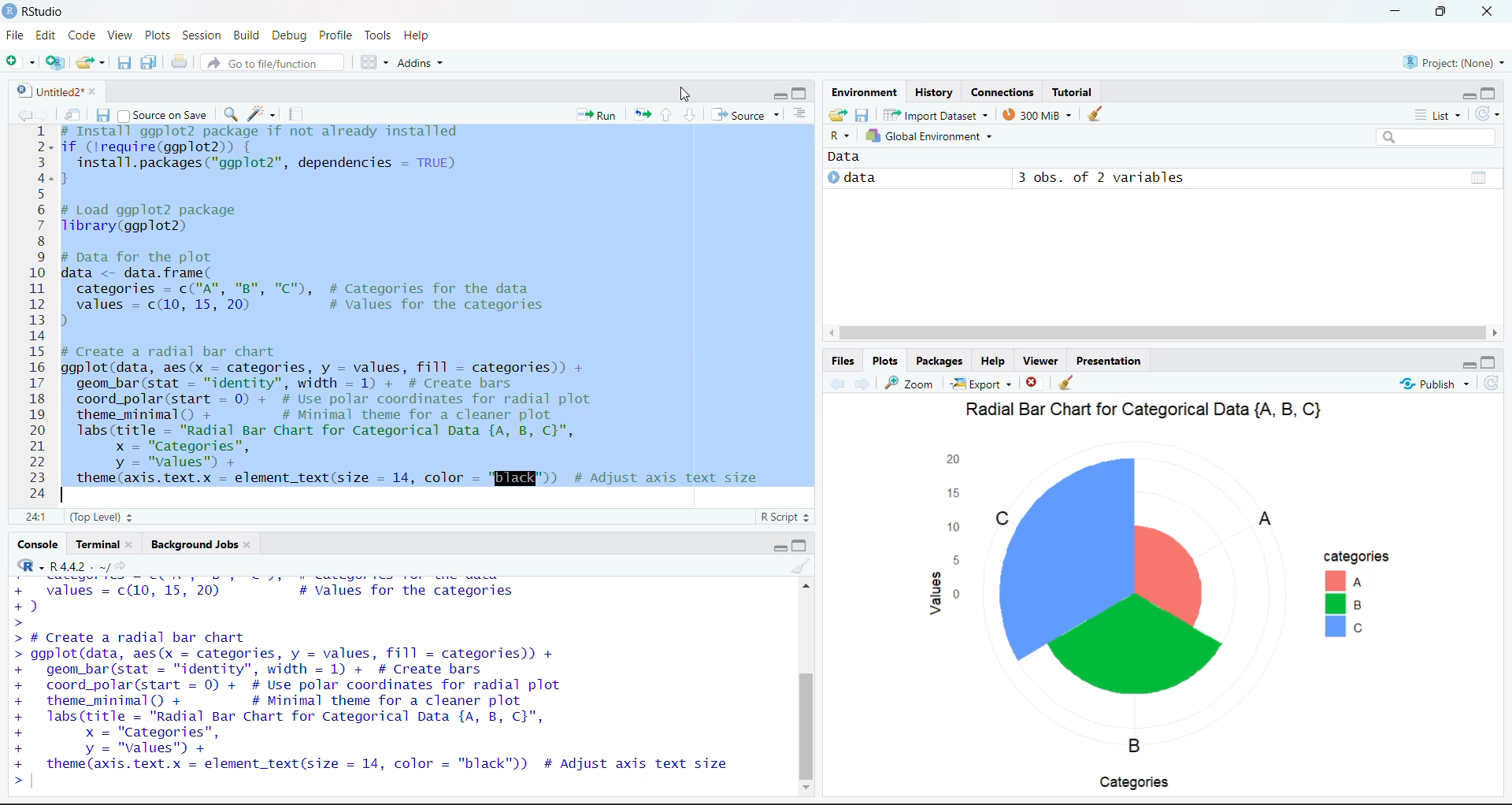 The width and height of the screenshot is (1512, 805). What do you see at coordinates (377, 36) in the screenshot?
I see `Tools` at bounding box center [377, 36].